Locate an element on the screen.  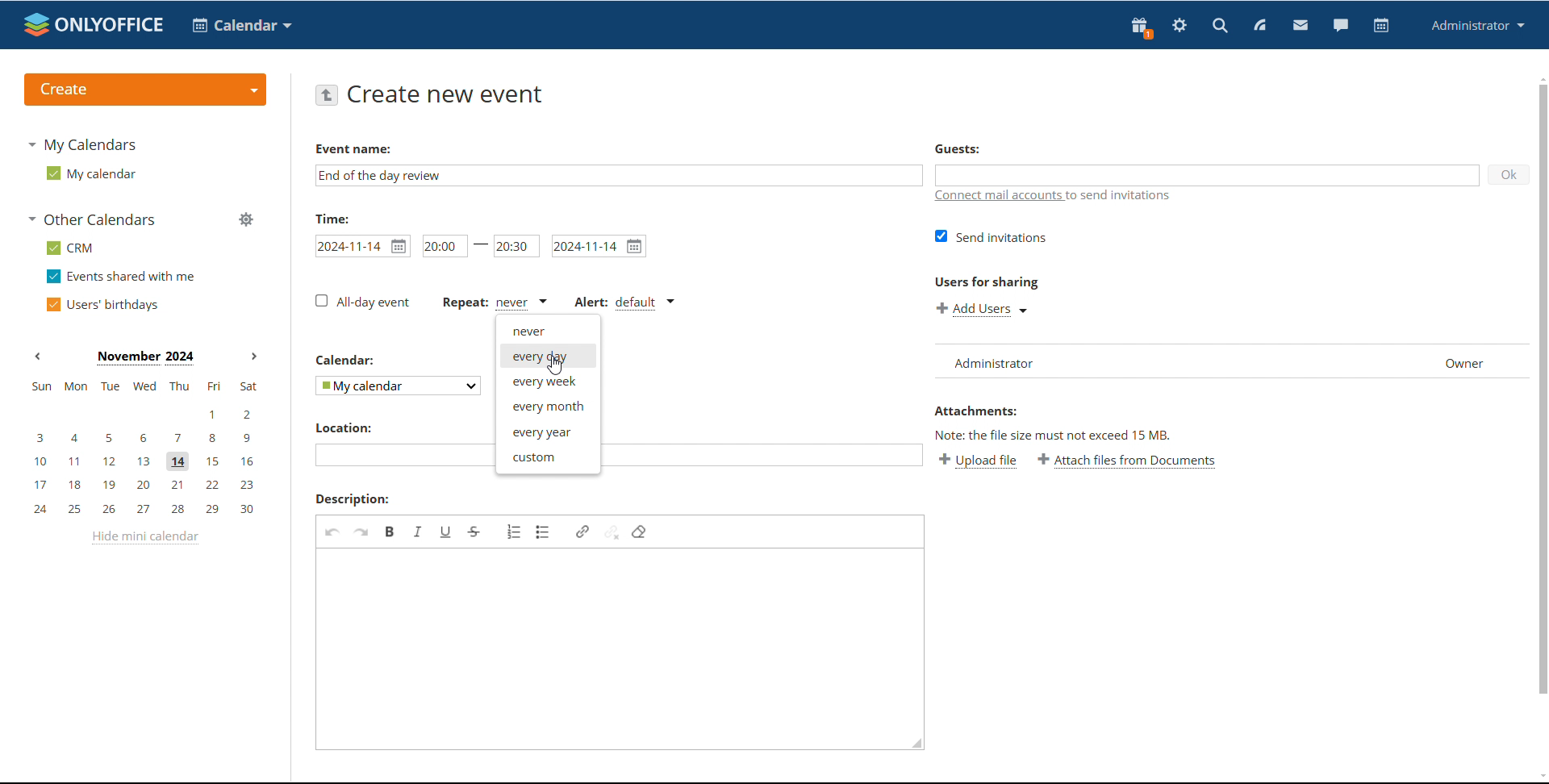
Event name is located at coordinates (353, 149).